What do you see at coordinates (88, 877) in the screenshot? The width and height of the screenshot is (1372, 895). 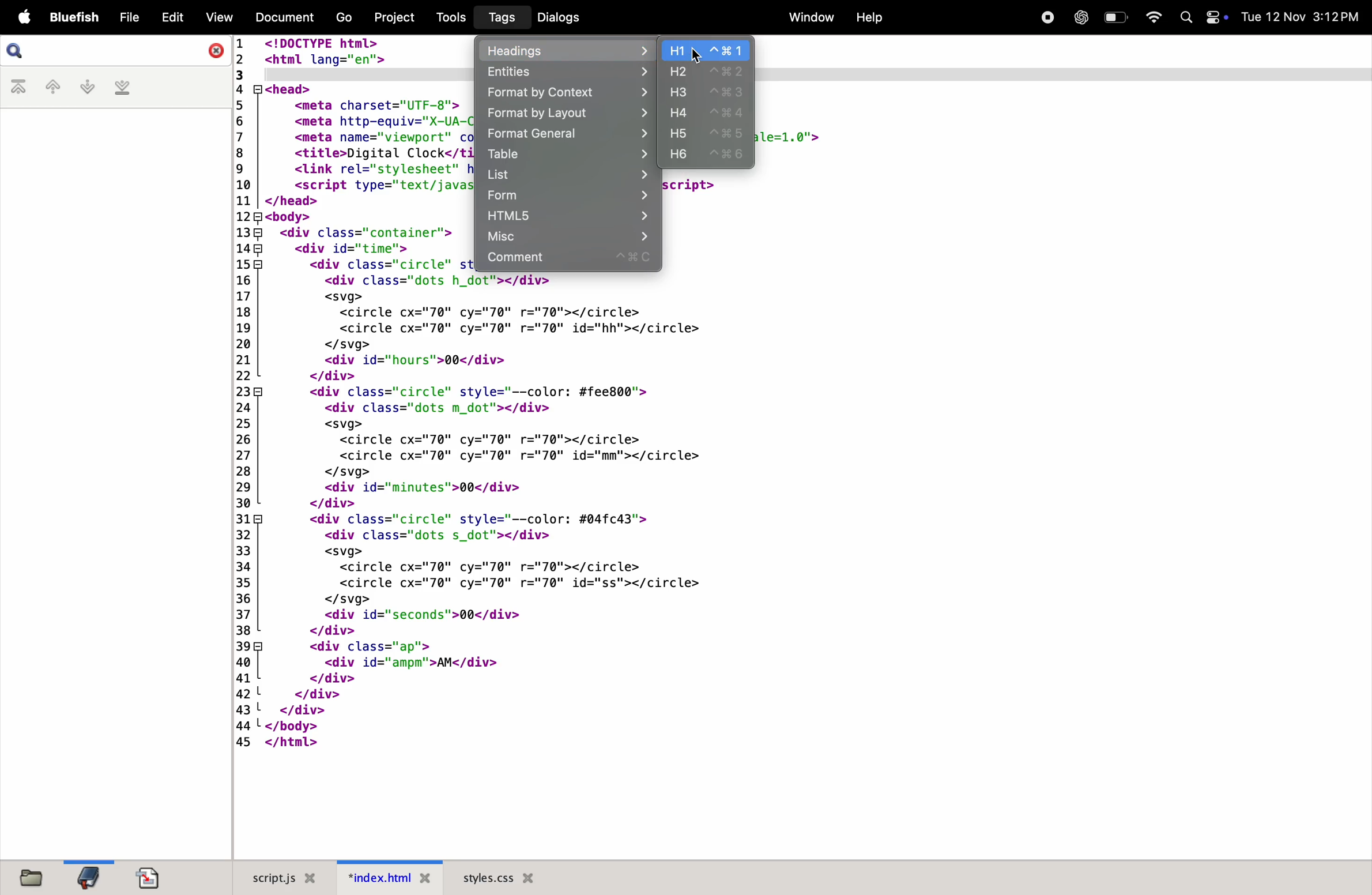 I see `bookmark` at bounding box center [88, 877].